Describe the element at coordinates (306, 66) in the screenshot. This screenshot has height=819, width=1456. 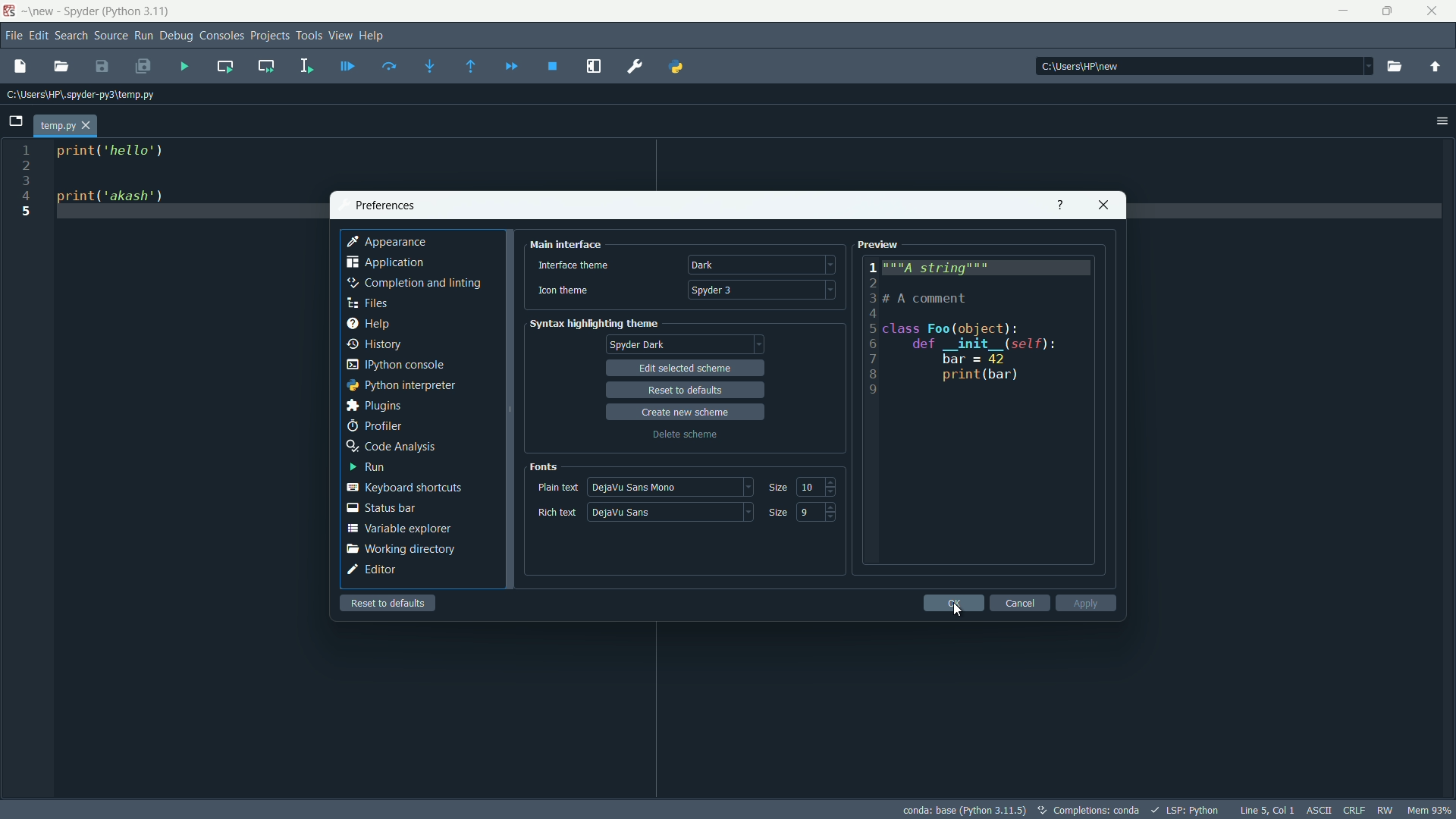
I see `run selection` at that location.